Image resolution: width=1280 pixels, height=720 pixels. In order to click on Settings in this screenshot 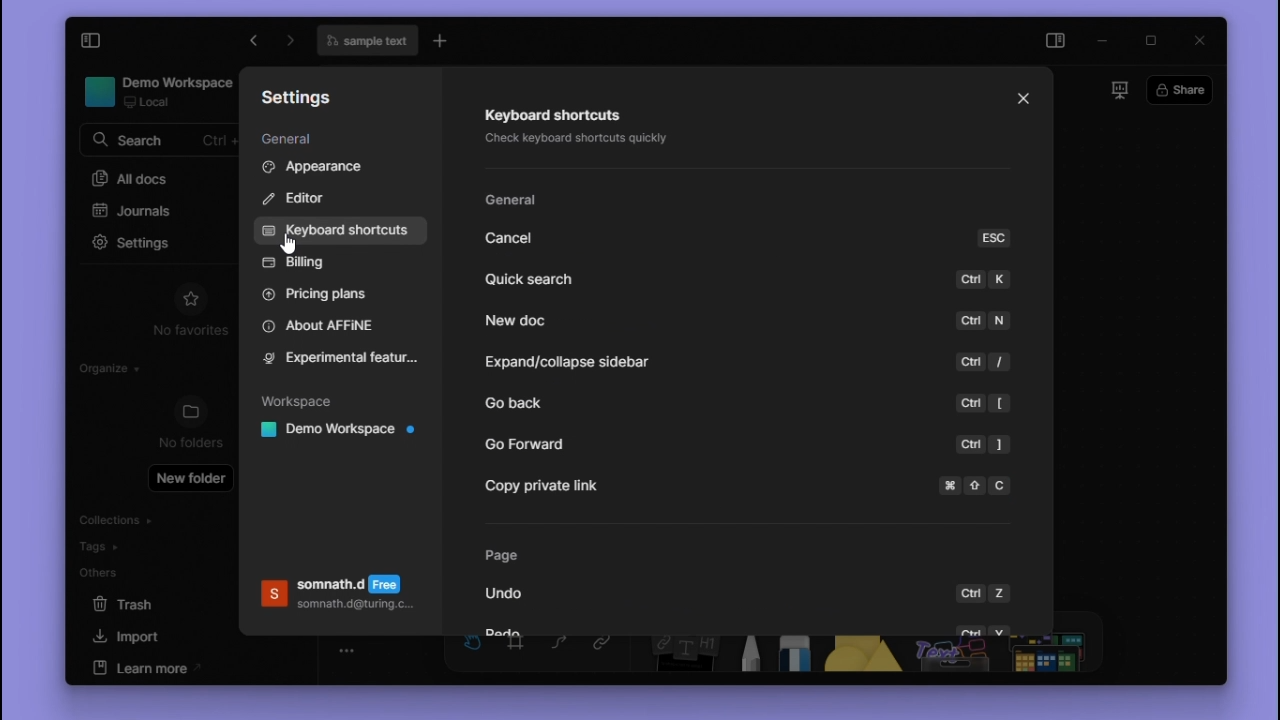, I will do `click(305, 100)`.